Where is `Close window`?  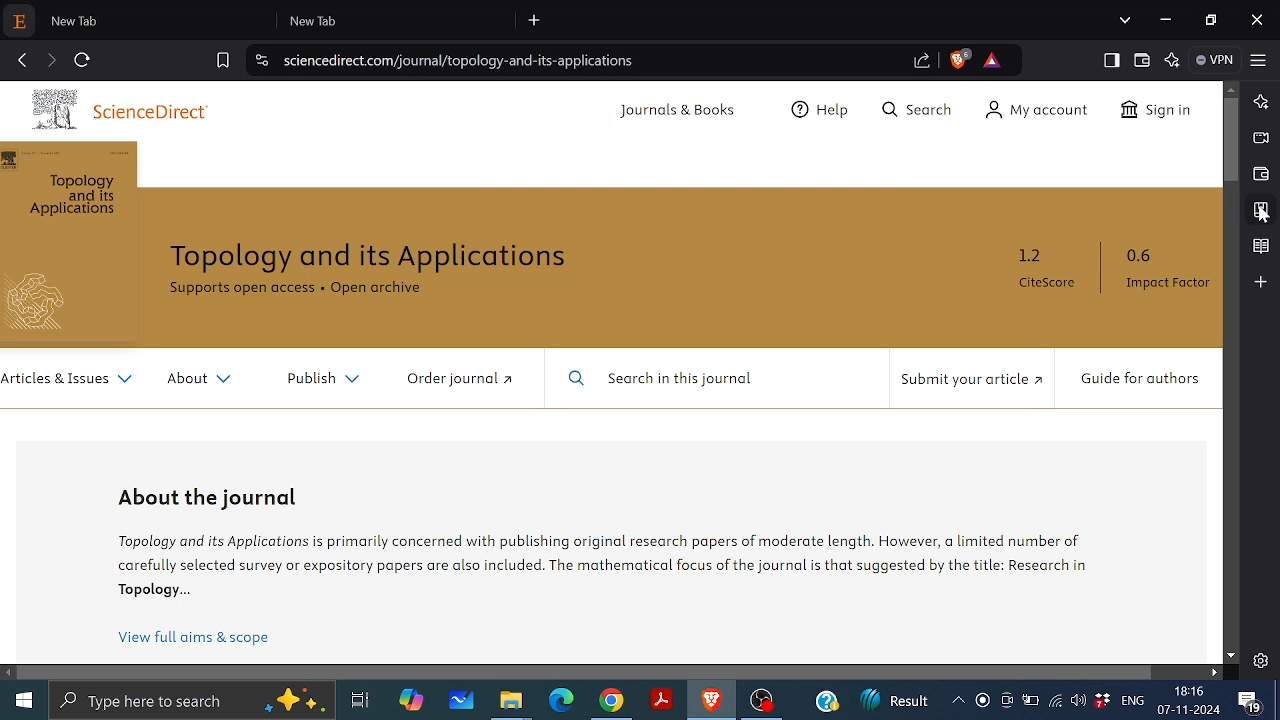
Close window is located at coordinates (1257, 19).